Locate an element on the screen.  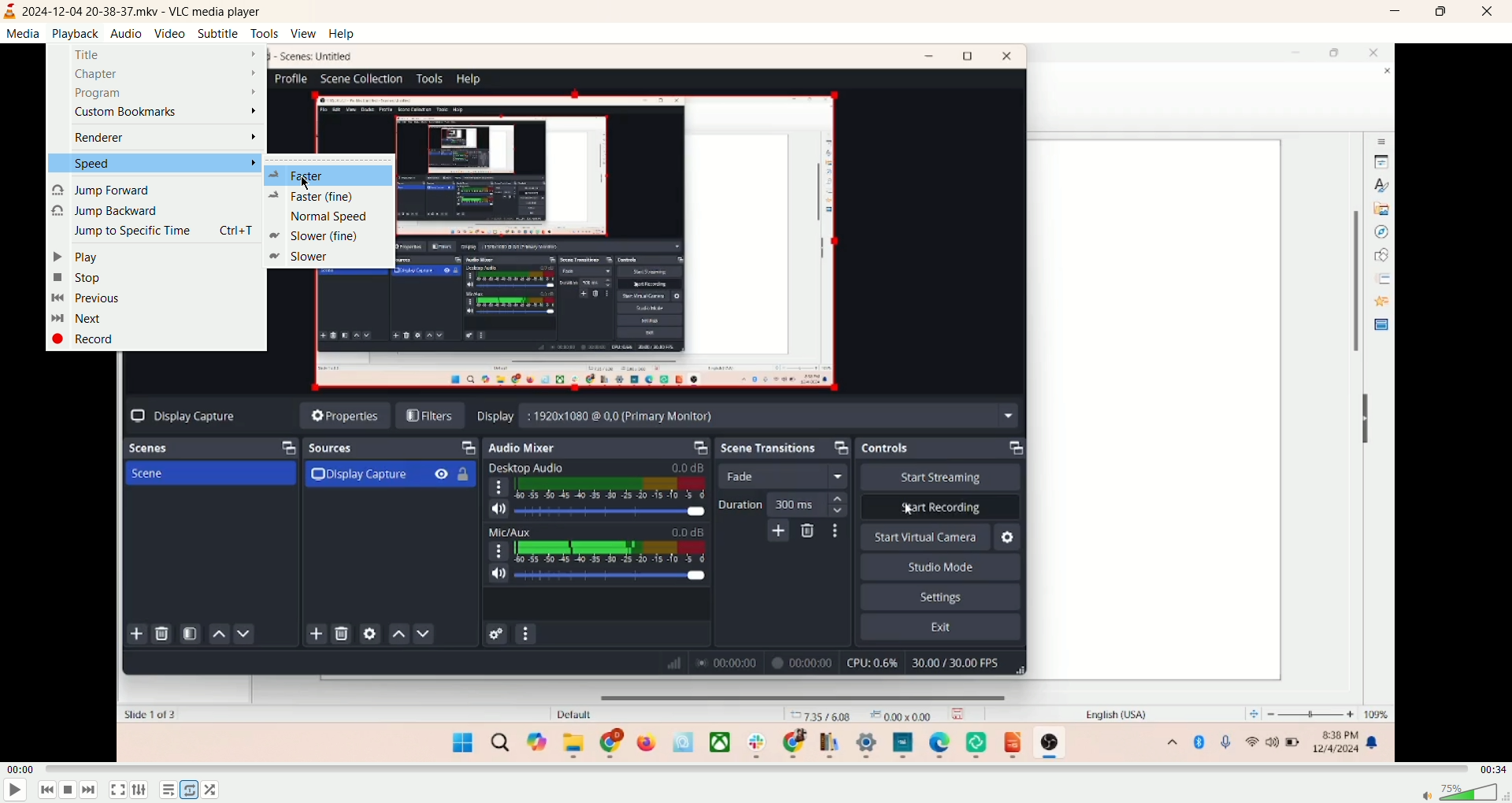
progress bar is located at coordinates (759, 769).